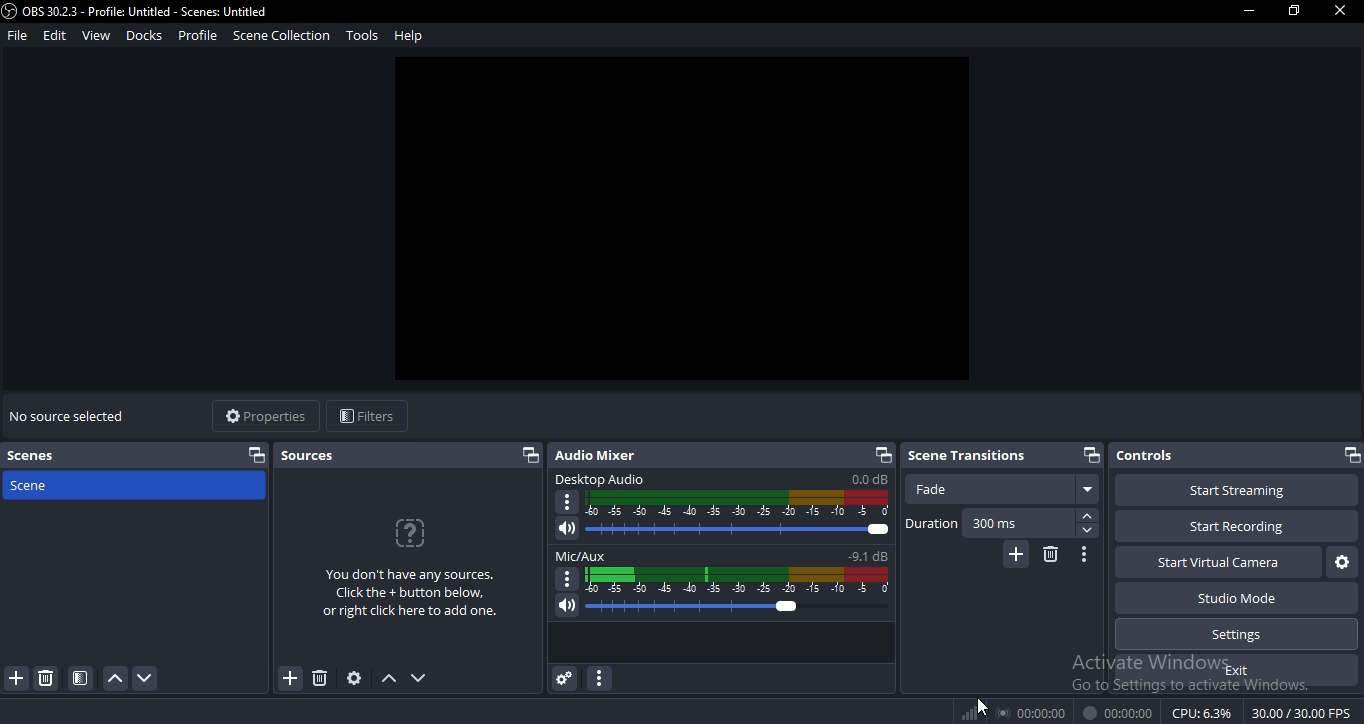 The width and height of the screenshot is (1364, 724). I want to click on volume slider, so click(725, 531).